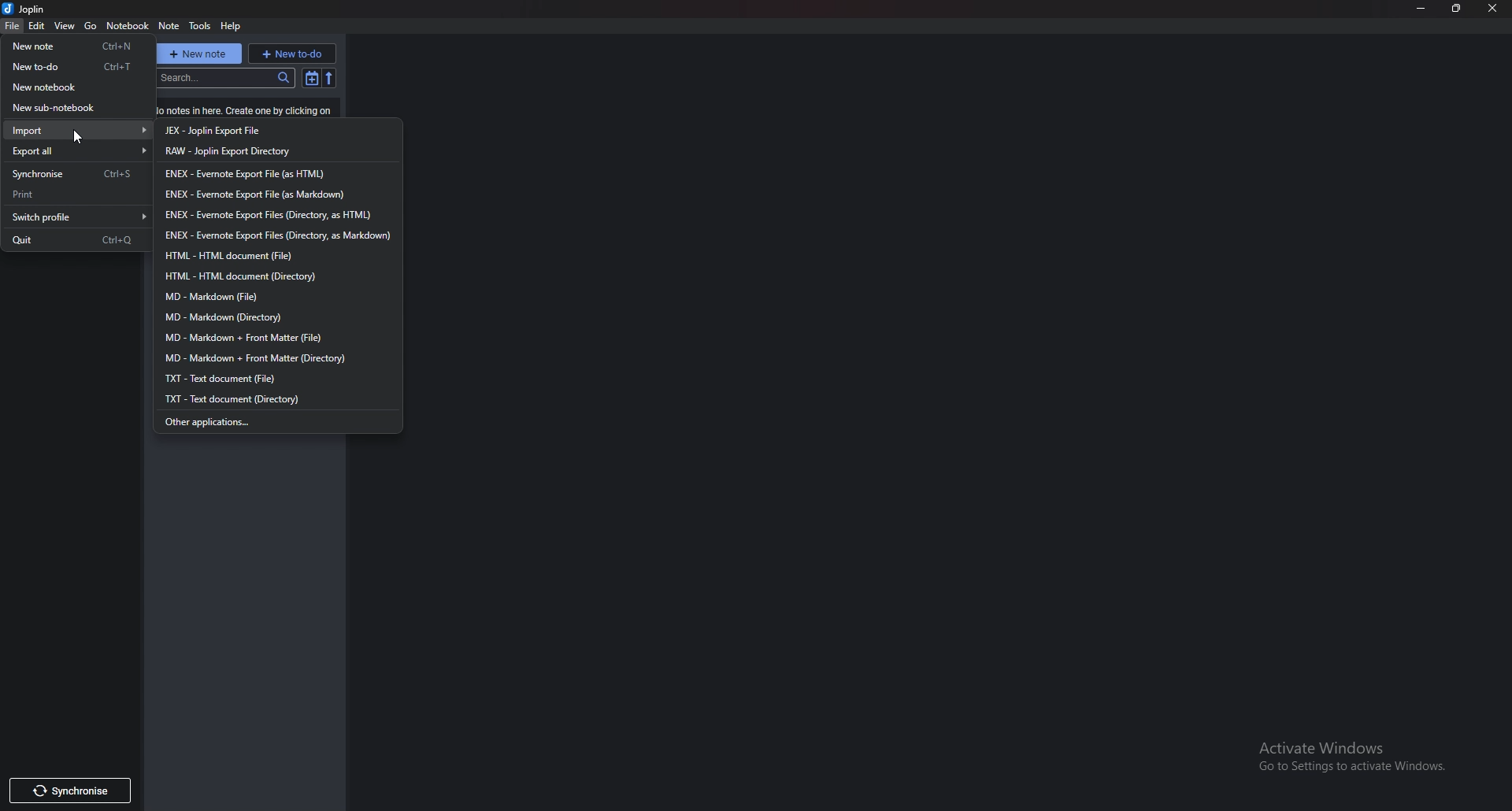  I want to click on New notebook, so click(74, 87).